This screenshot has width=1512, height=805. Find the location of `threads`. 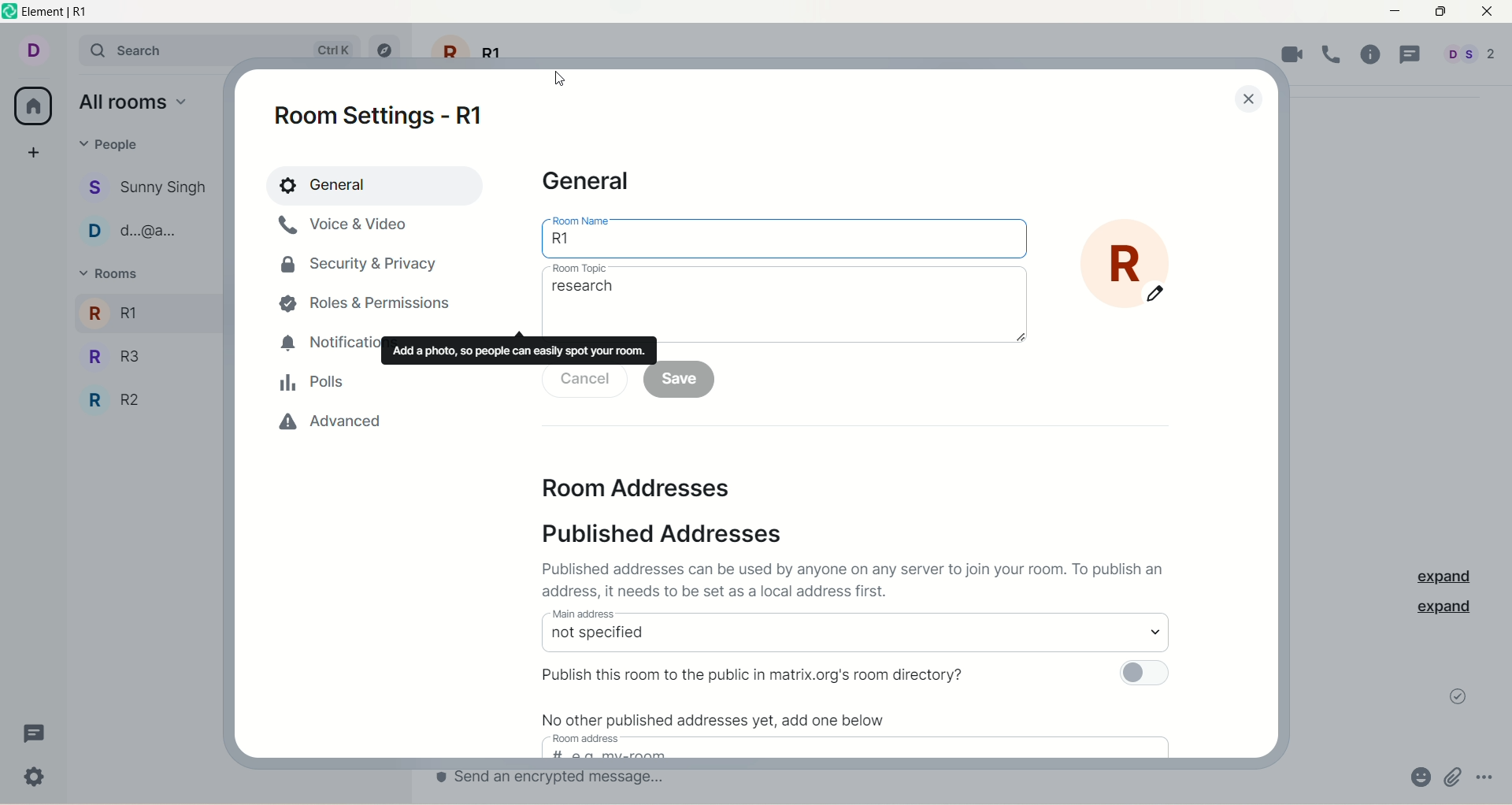

threads is located at coordinates (1413, 54).